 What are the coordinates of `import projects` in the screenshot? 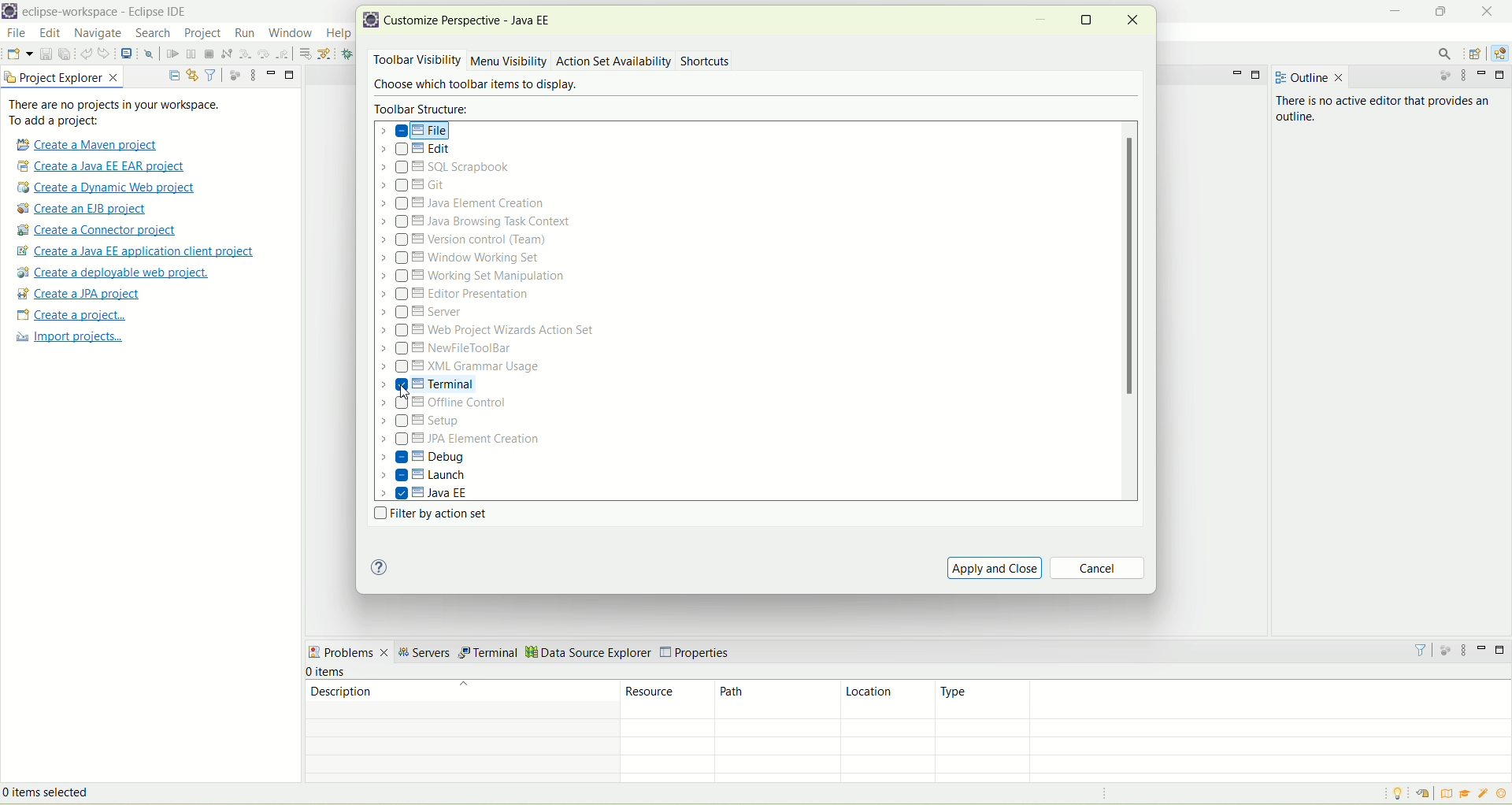 It's located at (68, 339).